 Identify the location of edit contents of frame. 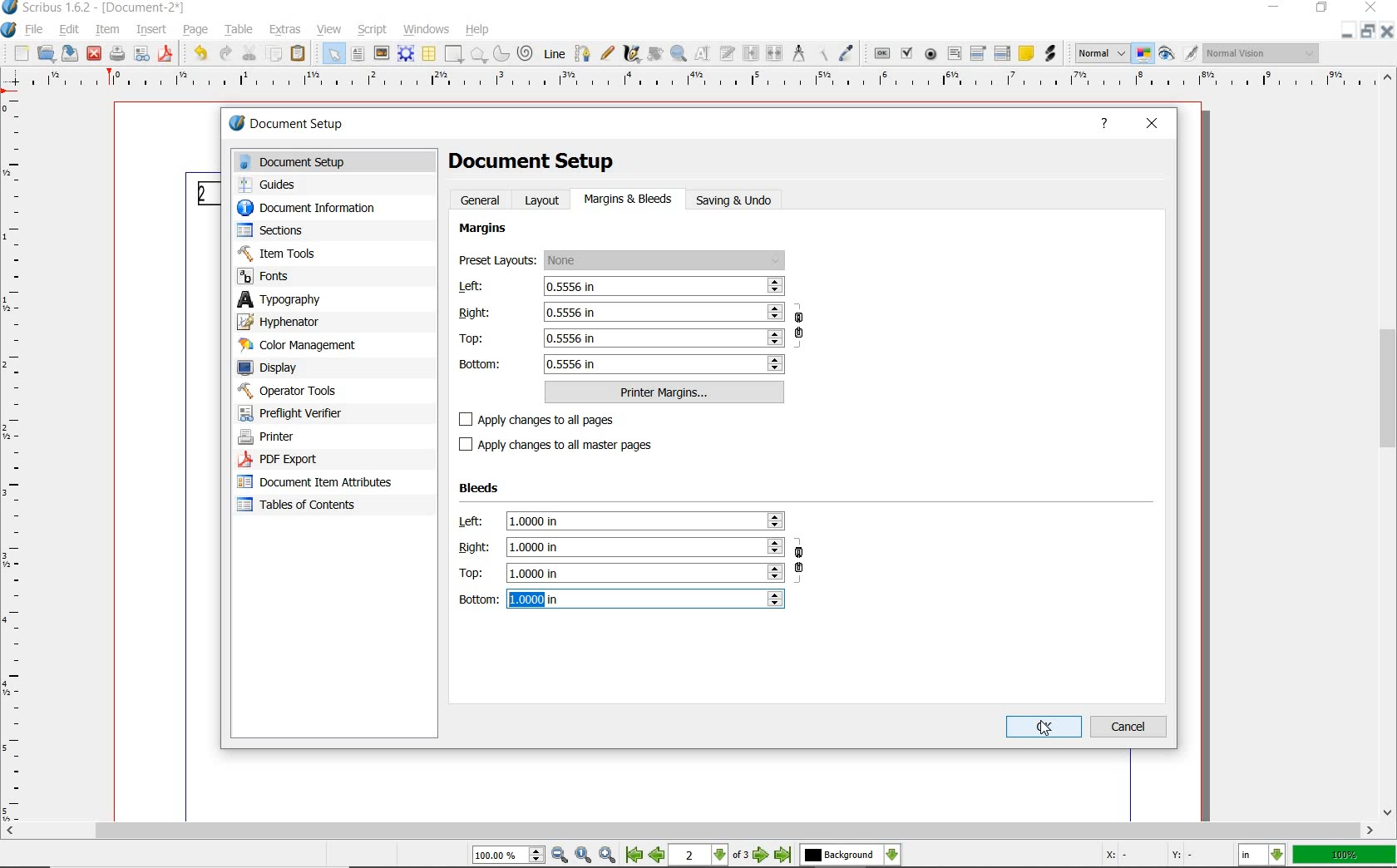
(704, 54).